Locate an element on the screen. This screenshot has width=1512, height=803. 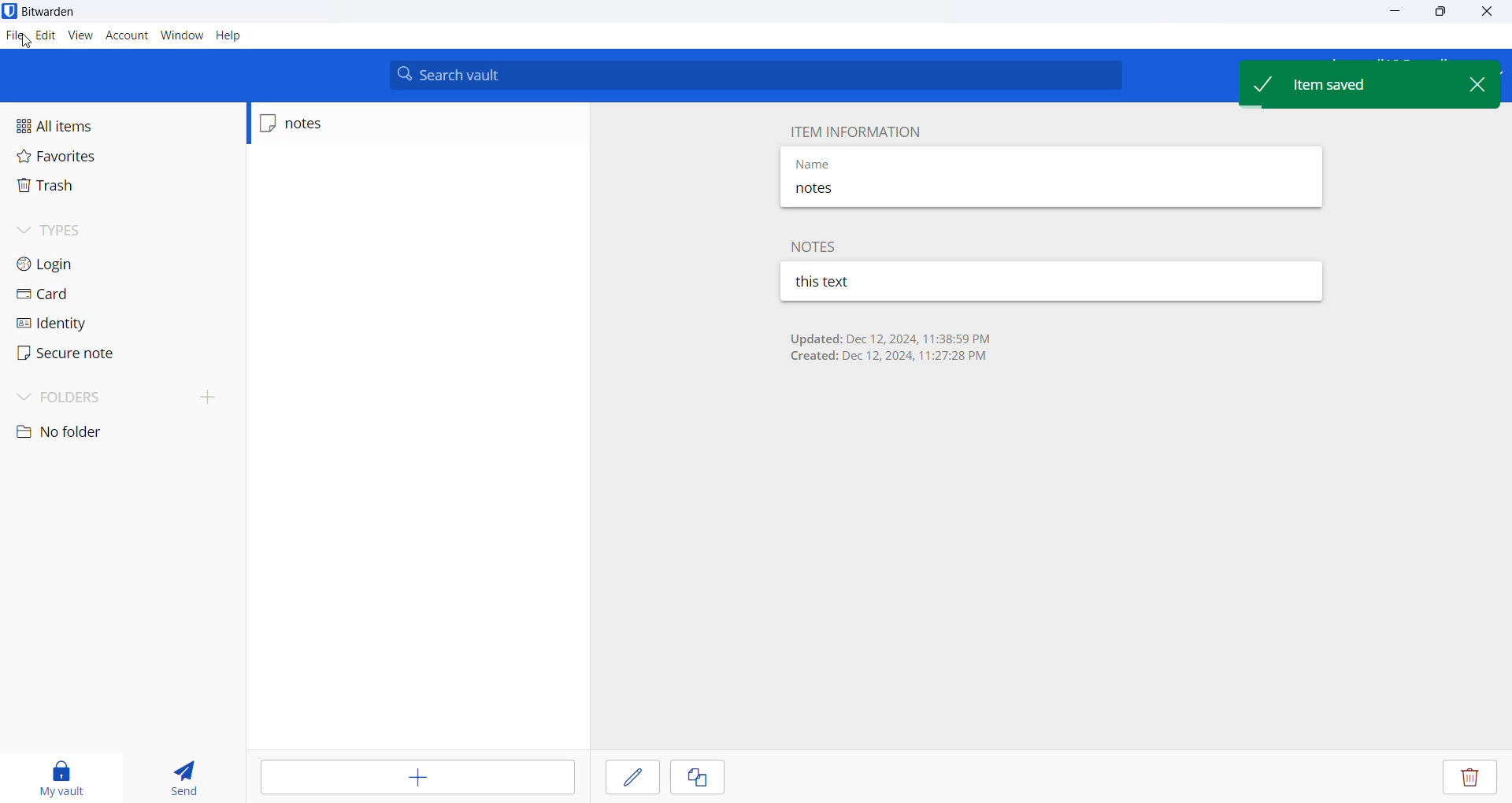
close is located at coordinates (1482, 12).